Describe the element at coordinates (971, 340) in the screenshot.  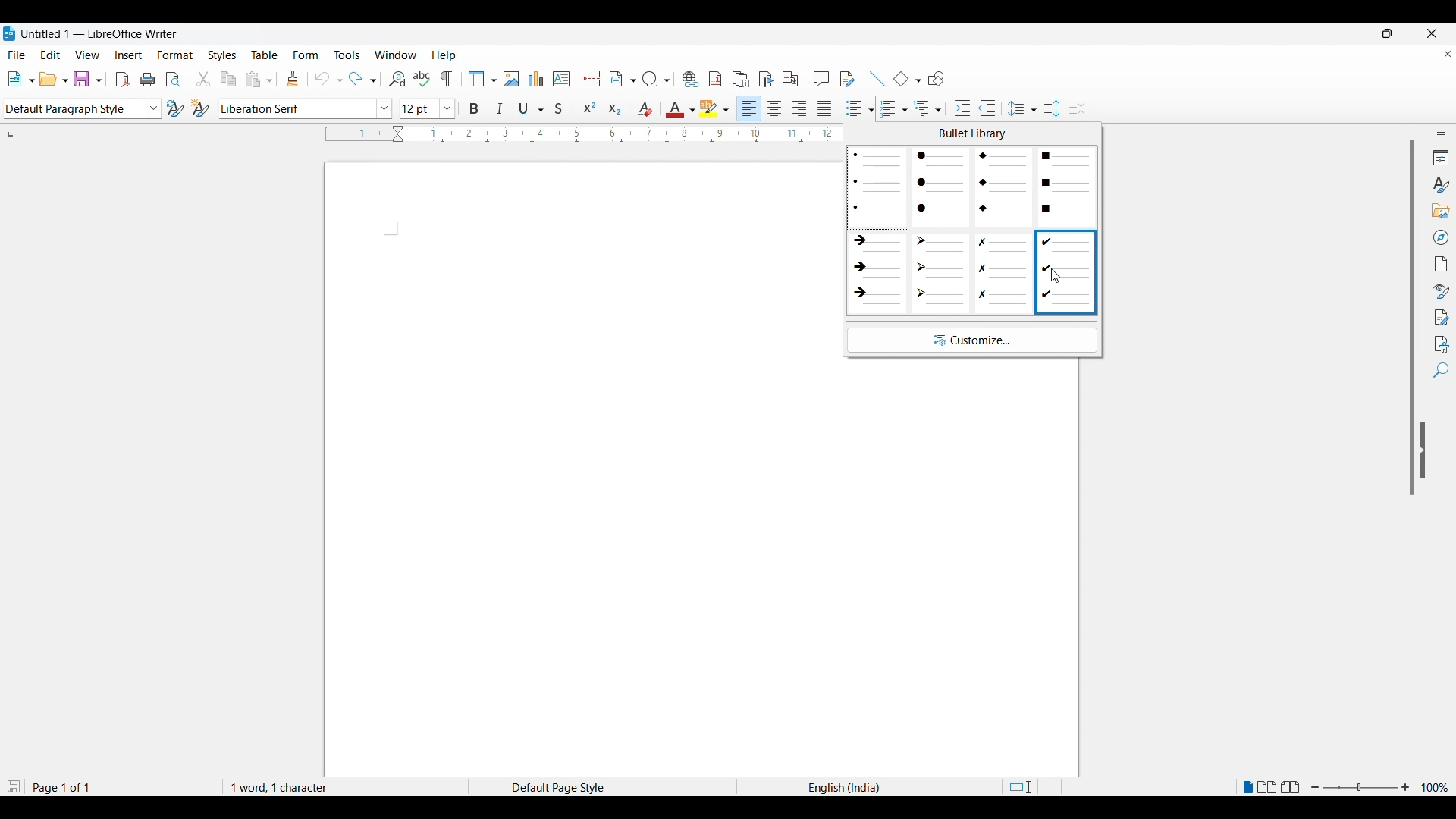
I see `Customize unordered bullets` at that location.